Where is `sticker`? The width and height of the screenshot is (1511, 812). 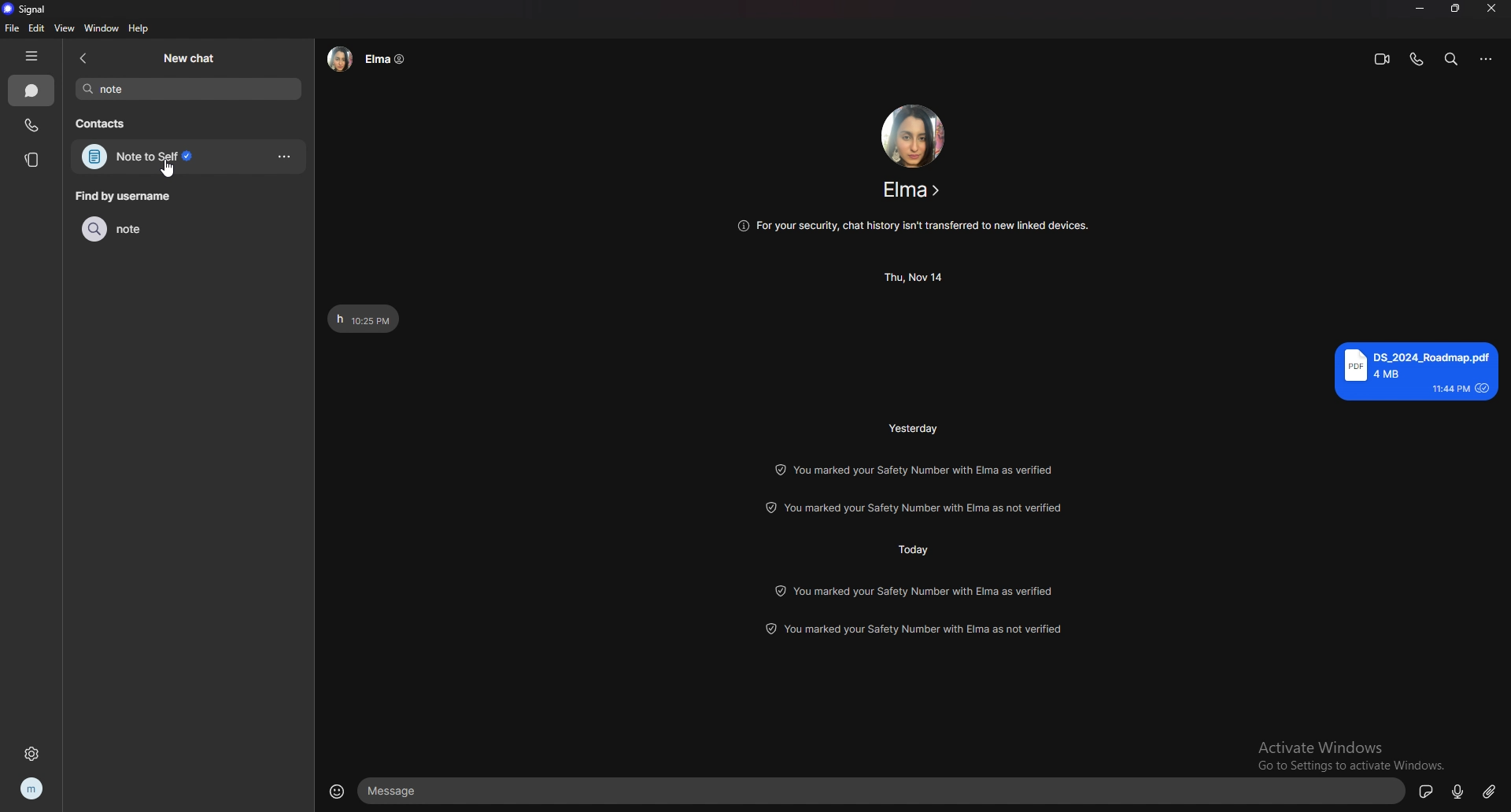 sticker is located at coordinates (1427, 791).